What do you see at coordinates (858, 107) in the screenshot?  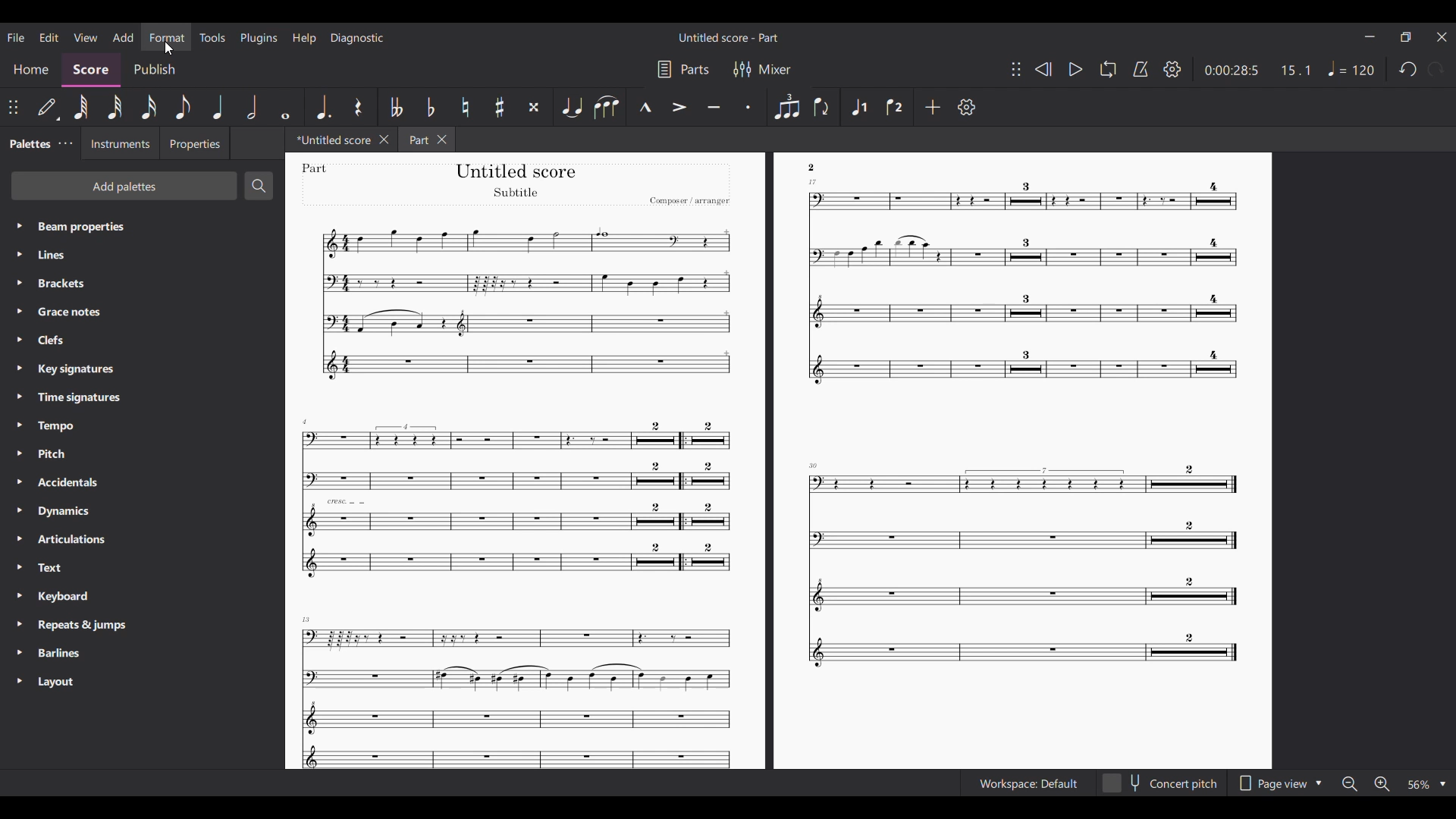 I see `Voice 1` at bounding box center [858, 107].